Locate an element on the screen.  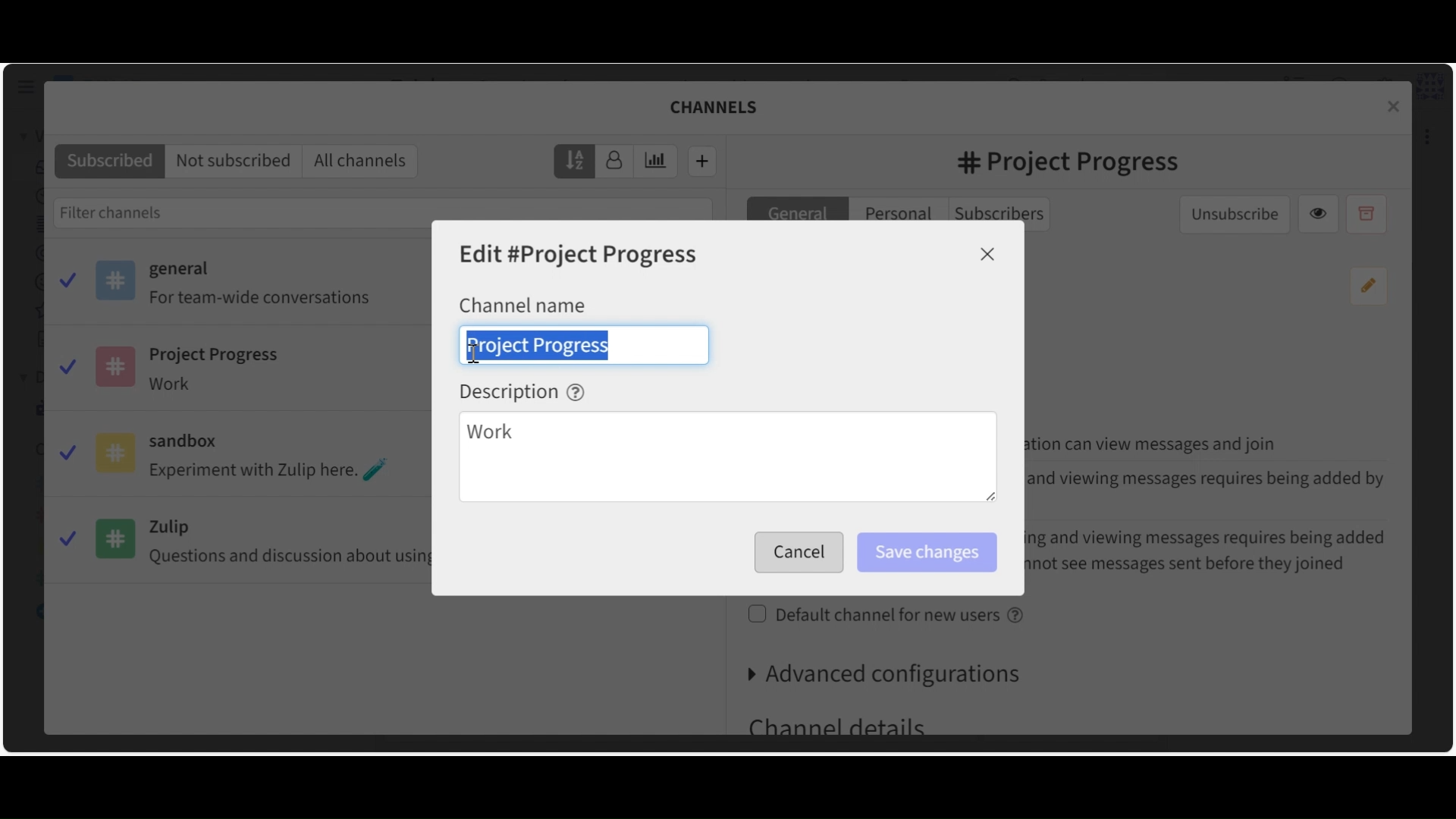
cursor is located at coordinates (477, 355).